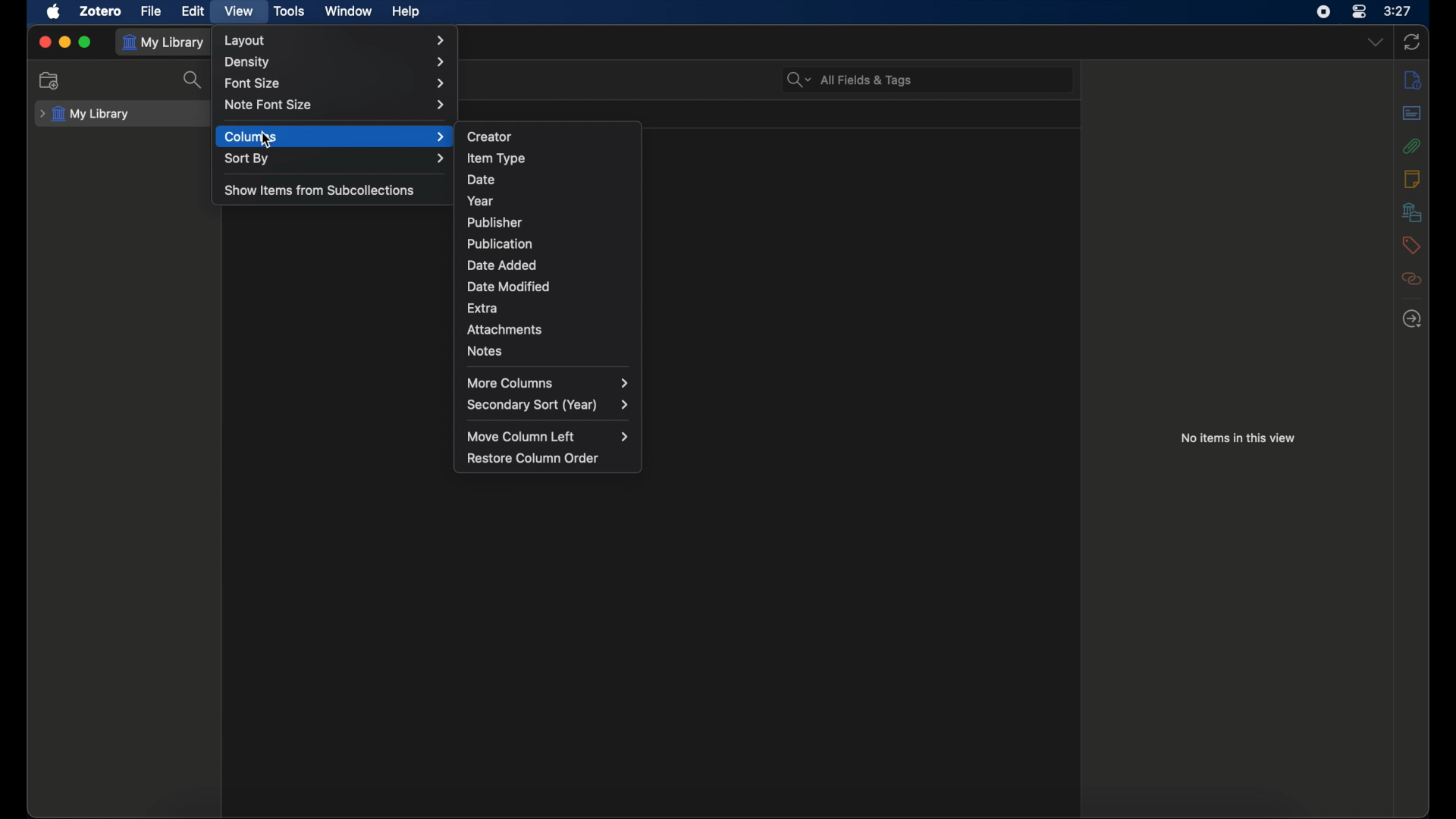  What do you see at coordinates (482, 180) in the screenshot?
I see `date` at bounding box center [482, 180].